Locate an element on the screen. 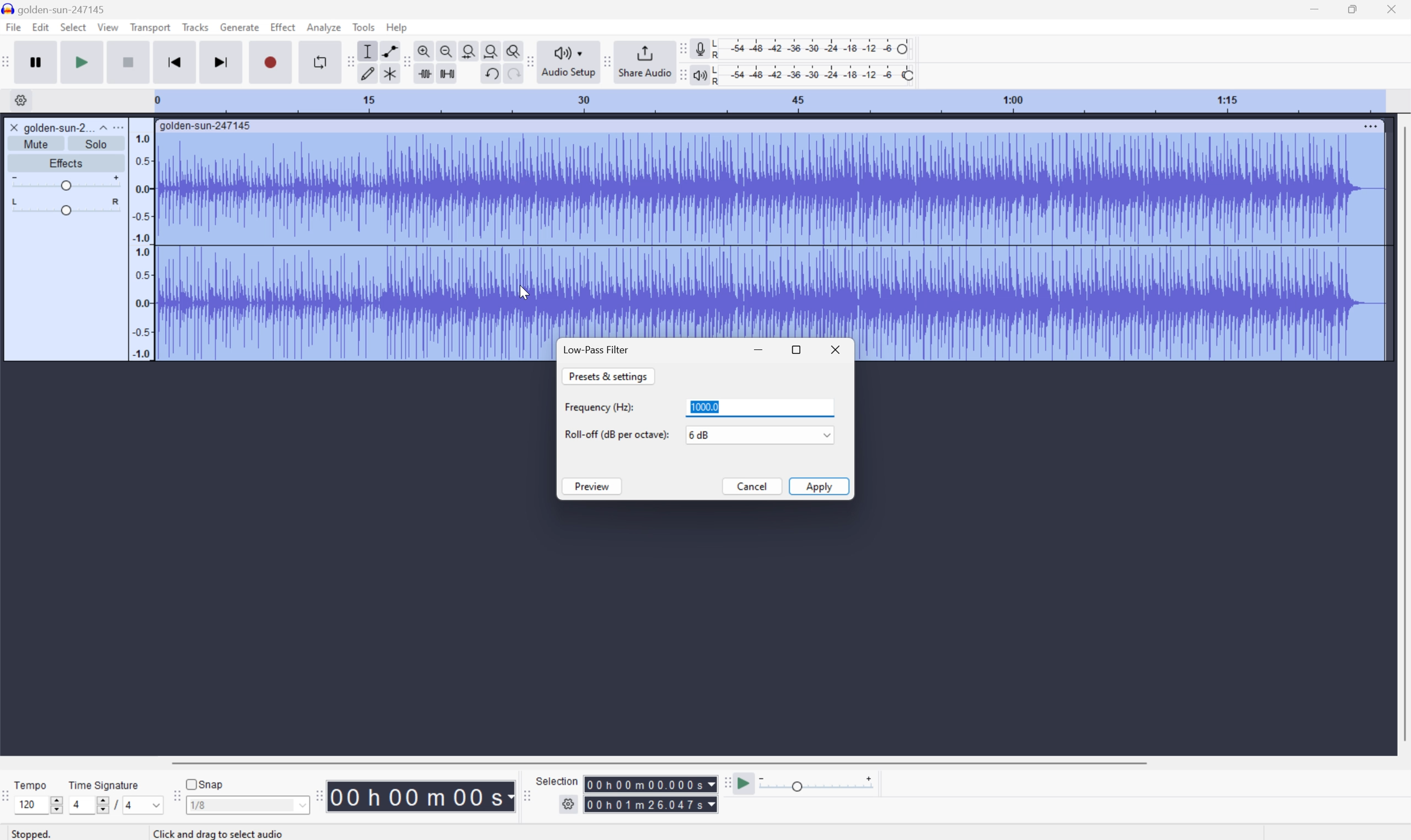 The image size is (1411, 840). 120 slider is located at coordinates (41, 804).